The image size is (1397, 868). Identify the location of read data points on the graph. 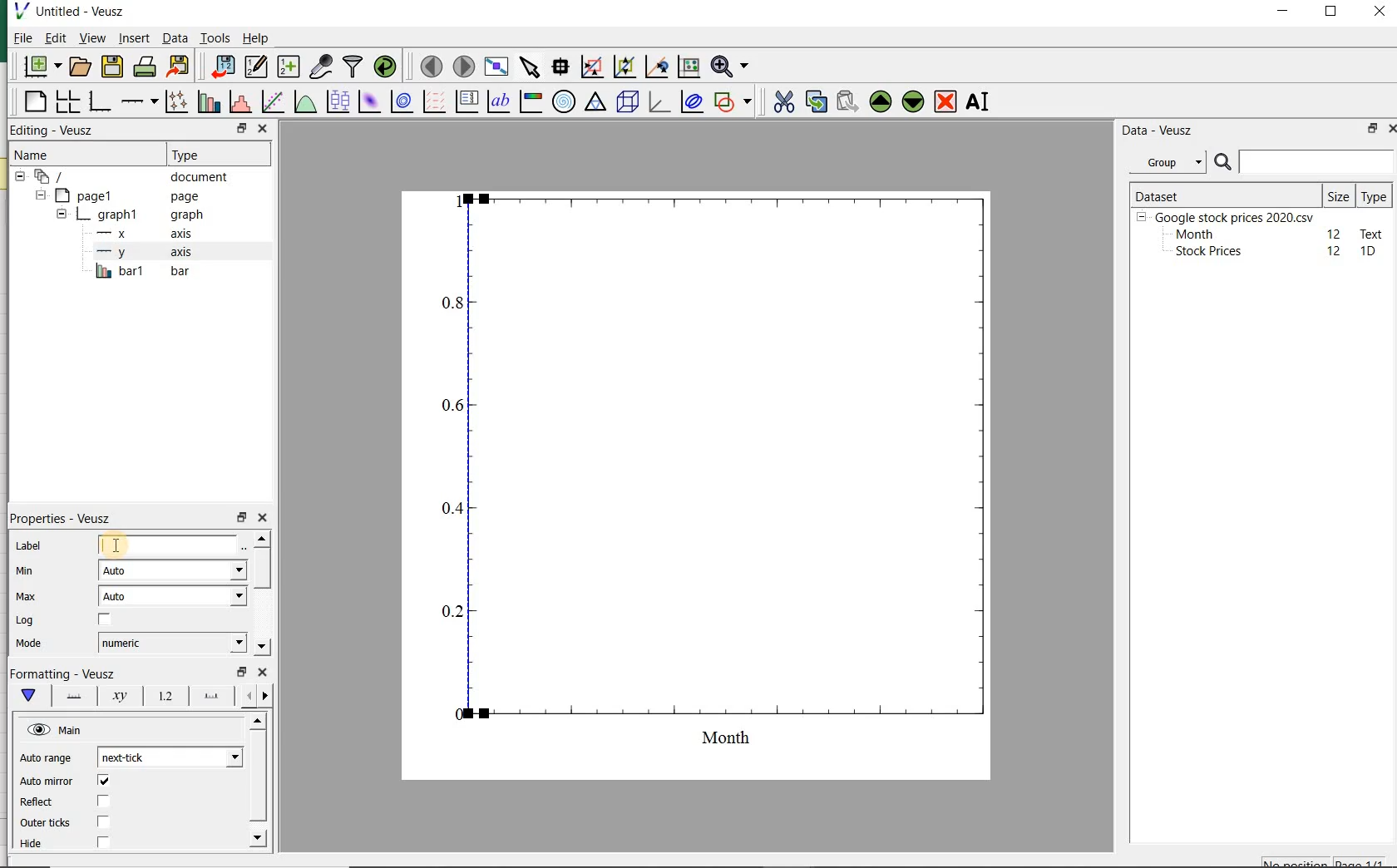
(559, 67).